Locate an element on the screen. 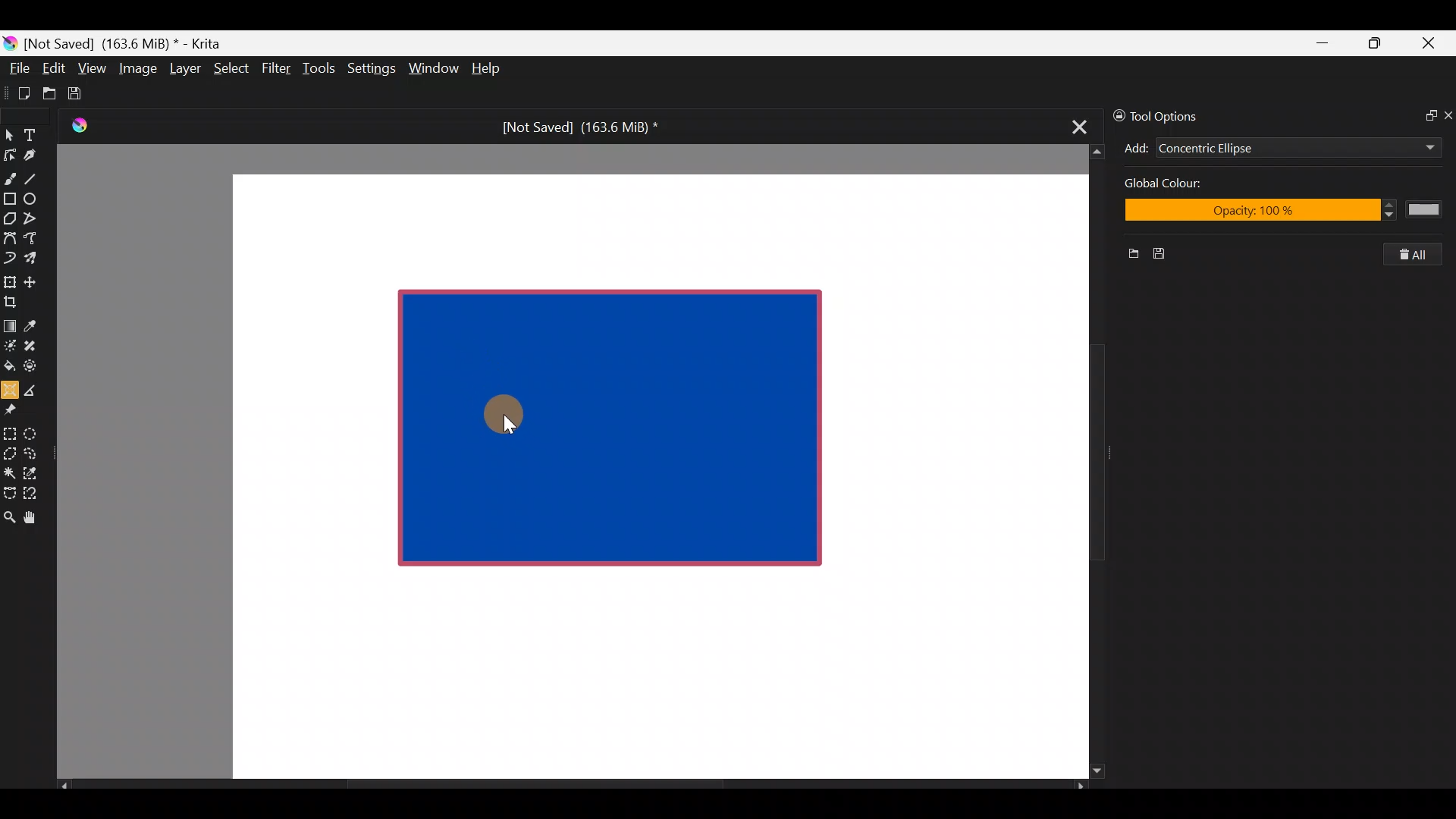 This screenshot has height=819, width=1456. Polygon tool is located at coordinates (9, 219).